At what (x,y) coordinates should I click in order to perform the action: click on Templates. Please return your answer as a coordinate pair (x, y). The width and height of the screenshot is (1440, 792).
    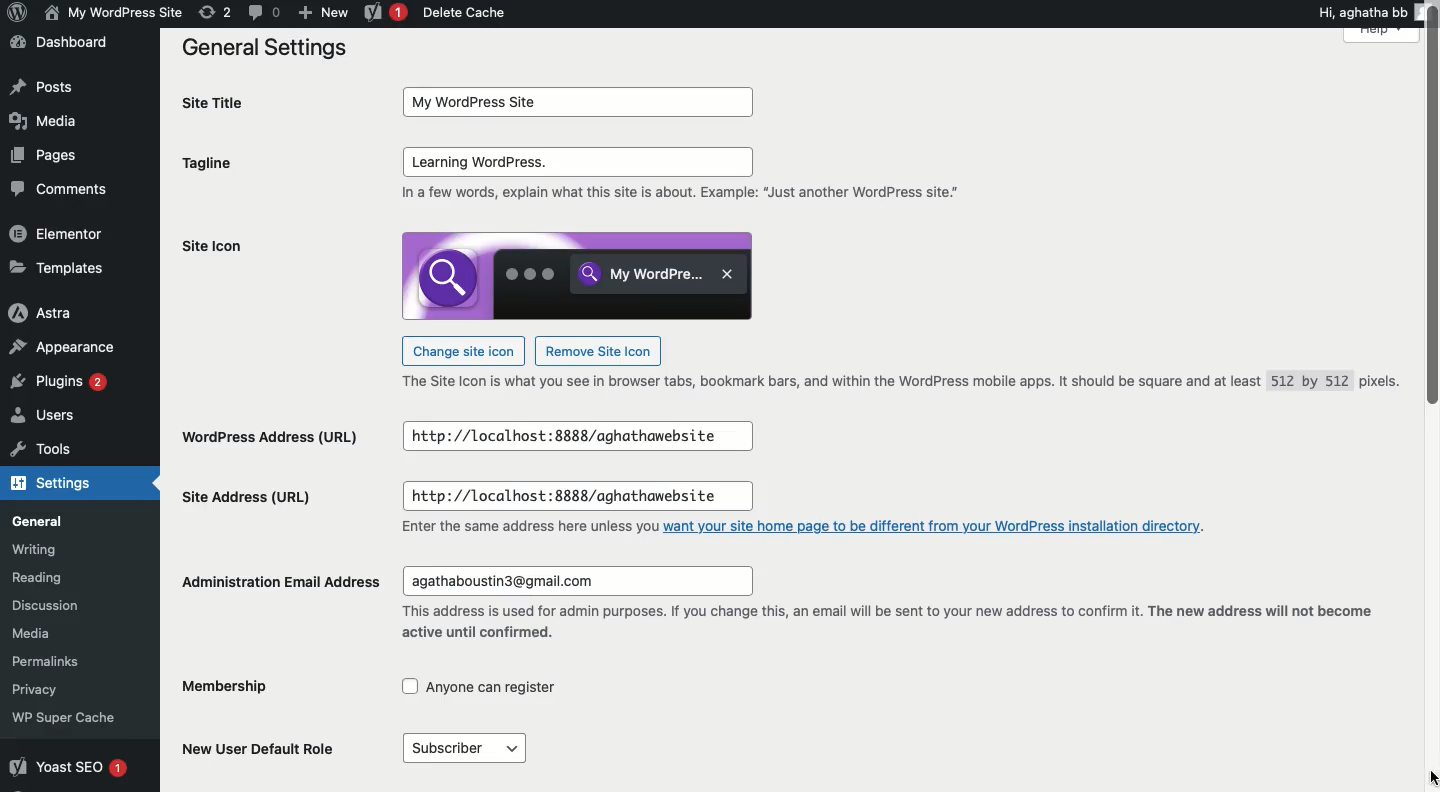
    Looking at the image, I should click on (62, 272).